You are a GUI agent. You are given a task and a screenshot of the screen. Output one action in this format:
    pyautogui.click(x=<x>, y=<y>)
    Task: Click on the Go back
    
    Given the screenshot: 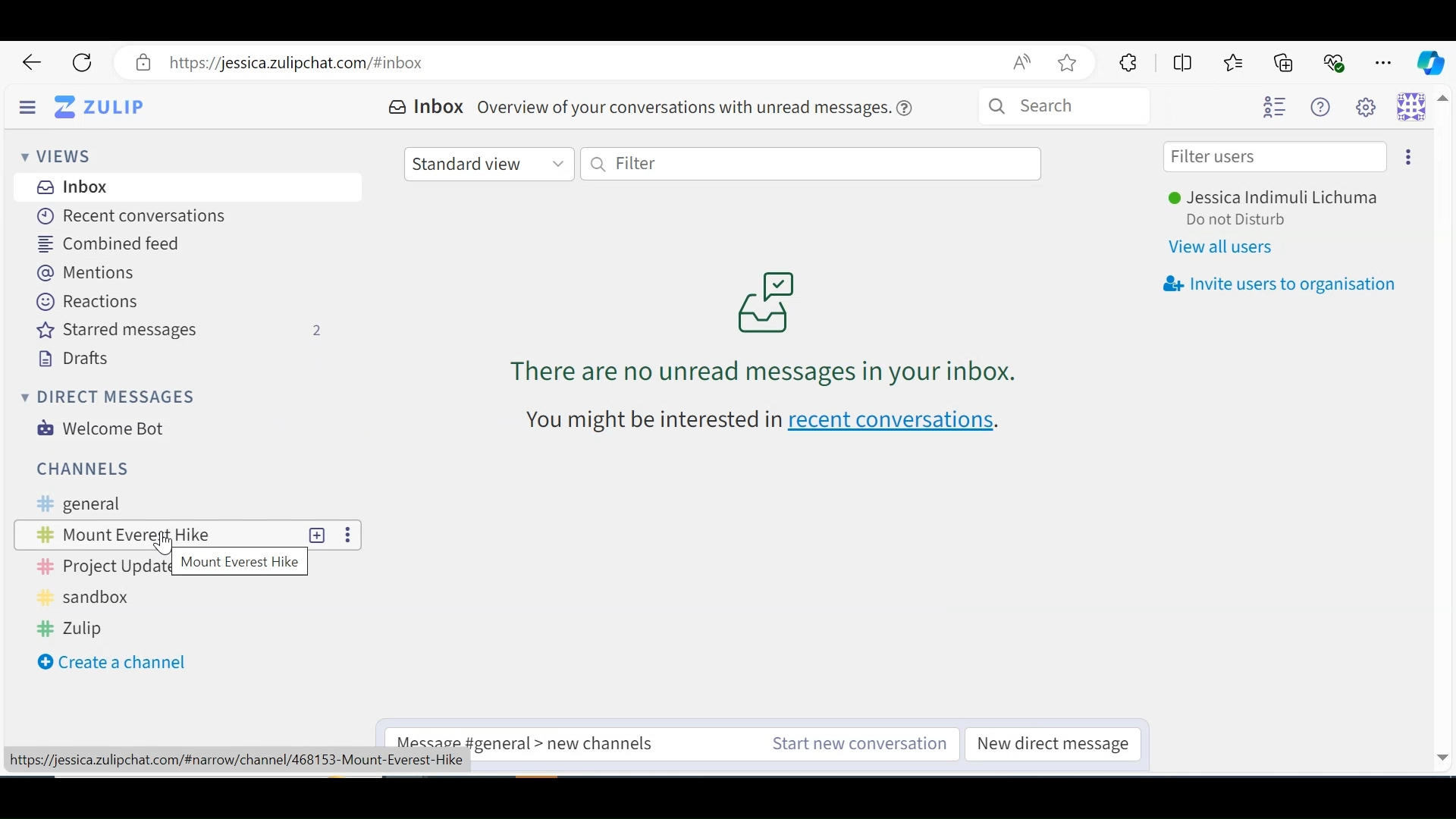 What is the action you would take?
    pyautogui.click(x=33, y=63)
    